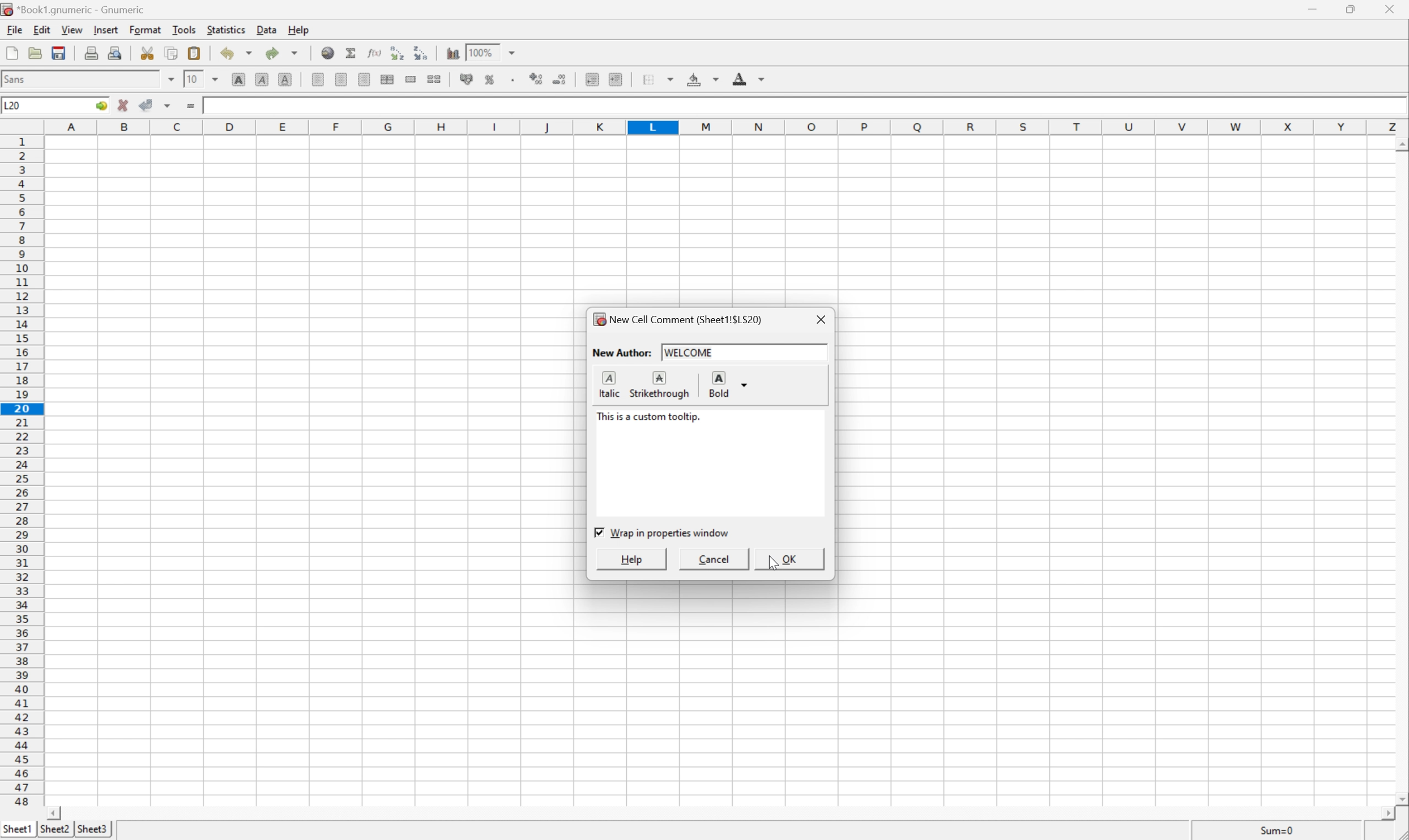 The height and width of the screenshot is (840, 1409). Describe the element at coordinates (108, 28) in the screenshot. I see `Insert` at that location.